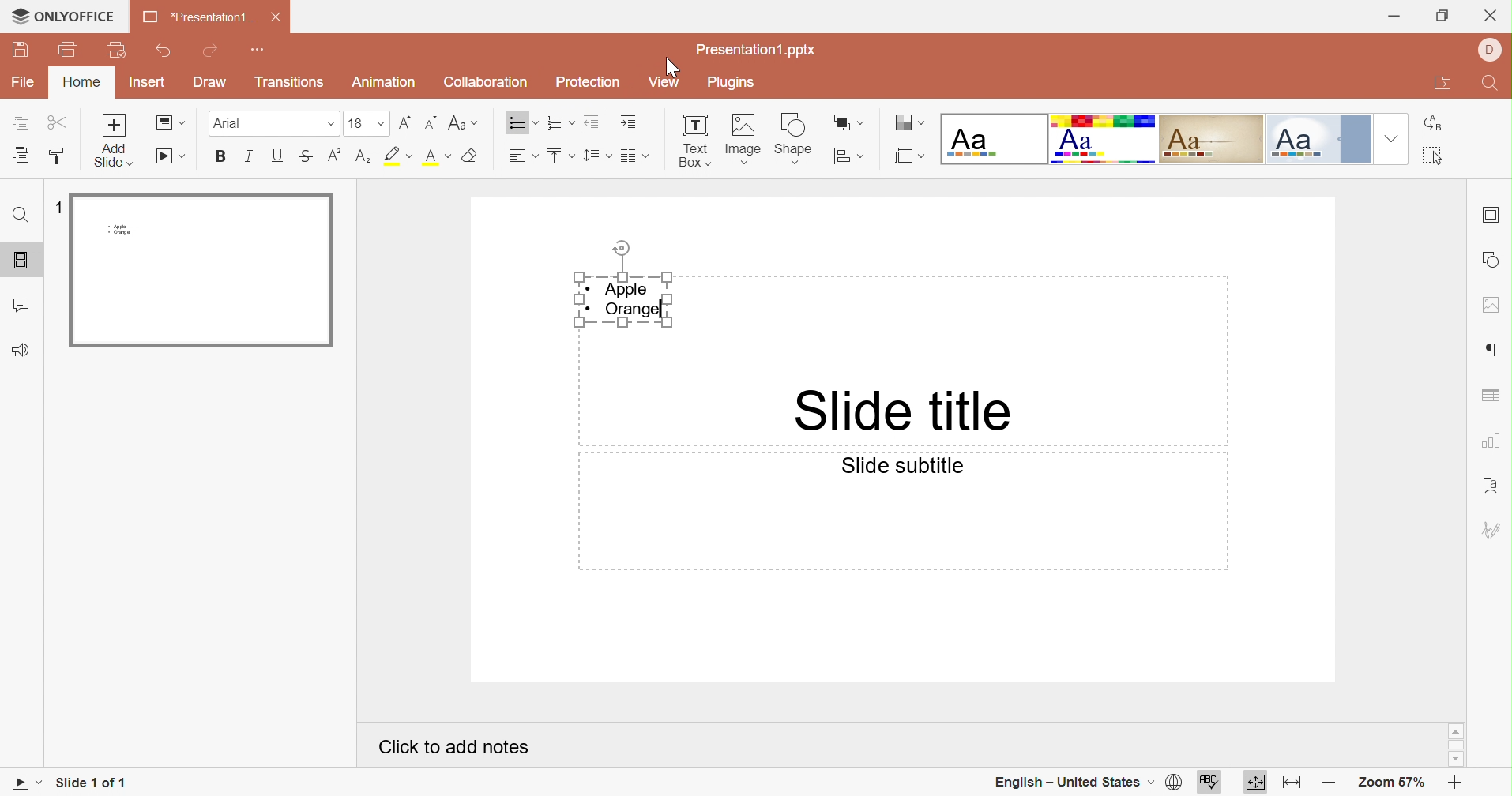 Image resolution: width=1512 pixels, height=796 pixels. What do you see at coordinates (1491, 445) in the screenshot?
I see `chart settings` at bounding box center [1491, 445].